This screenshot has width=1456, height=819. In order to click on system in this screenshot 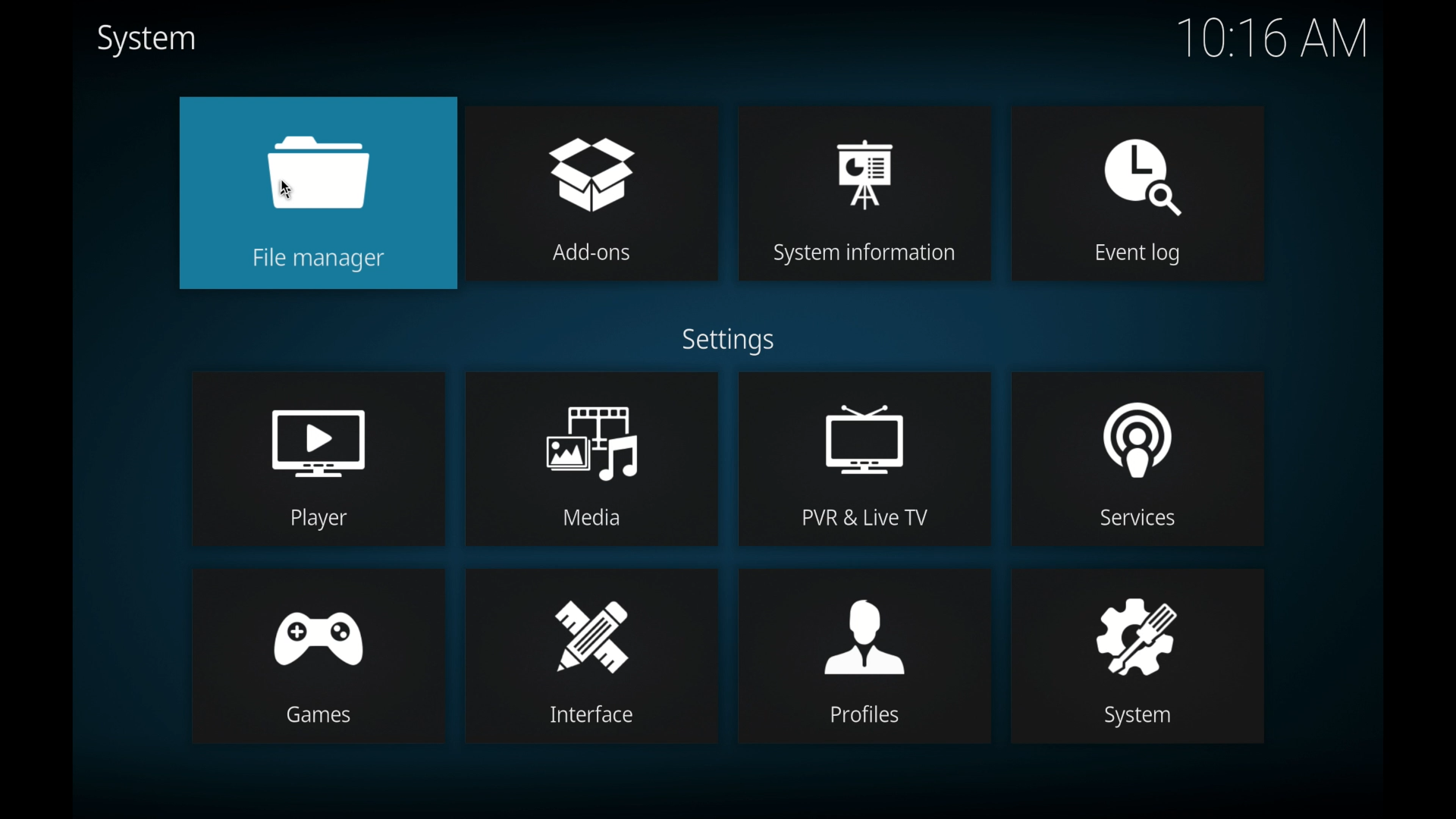, I will do `click(1139, 656)`.